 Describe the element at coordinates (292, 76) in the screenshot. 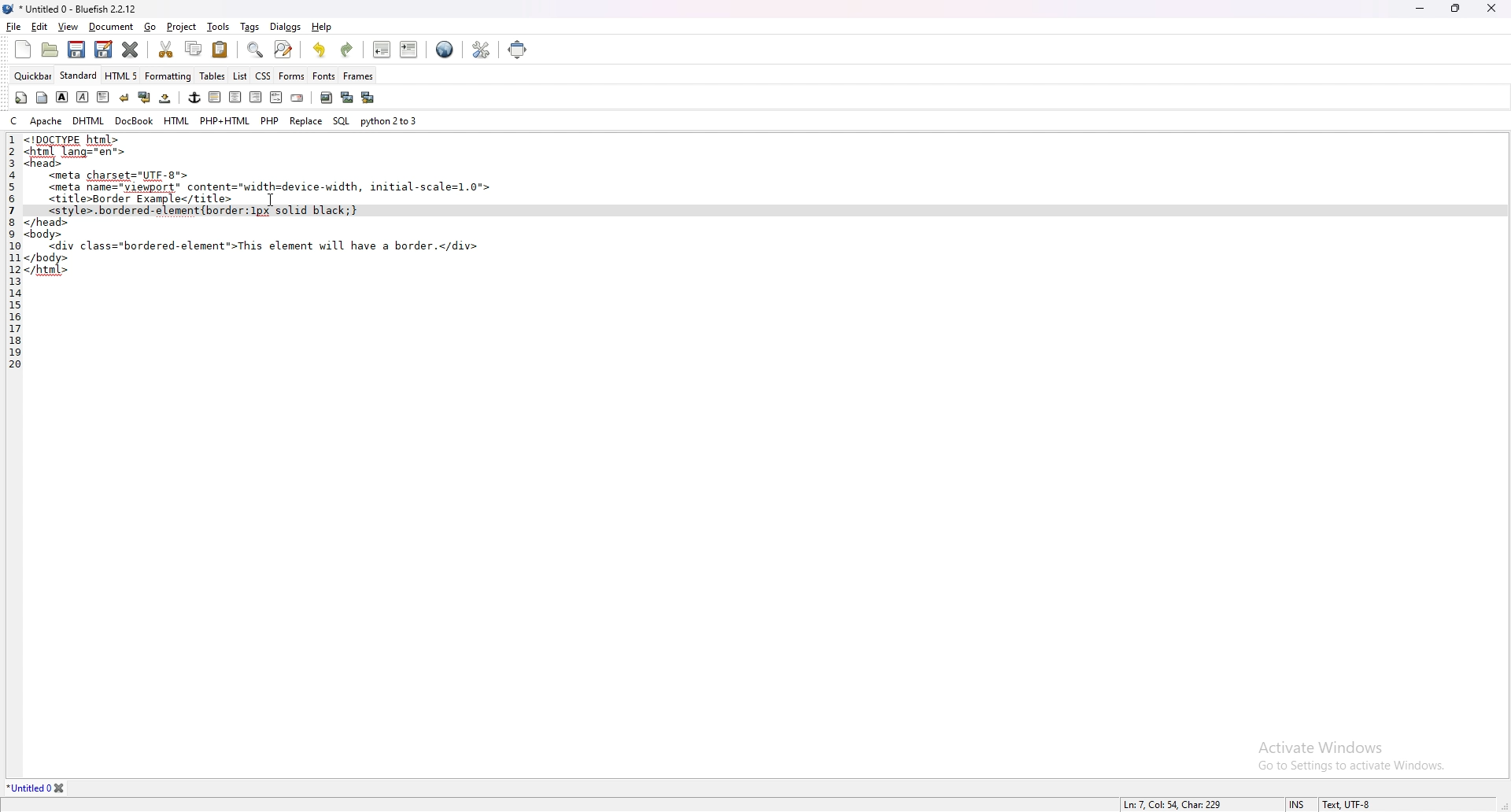

I see `forms` at that location.